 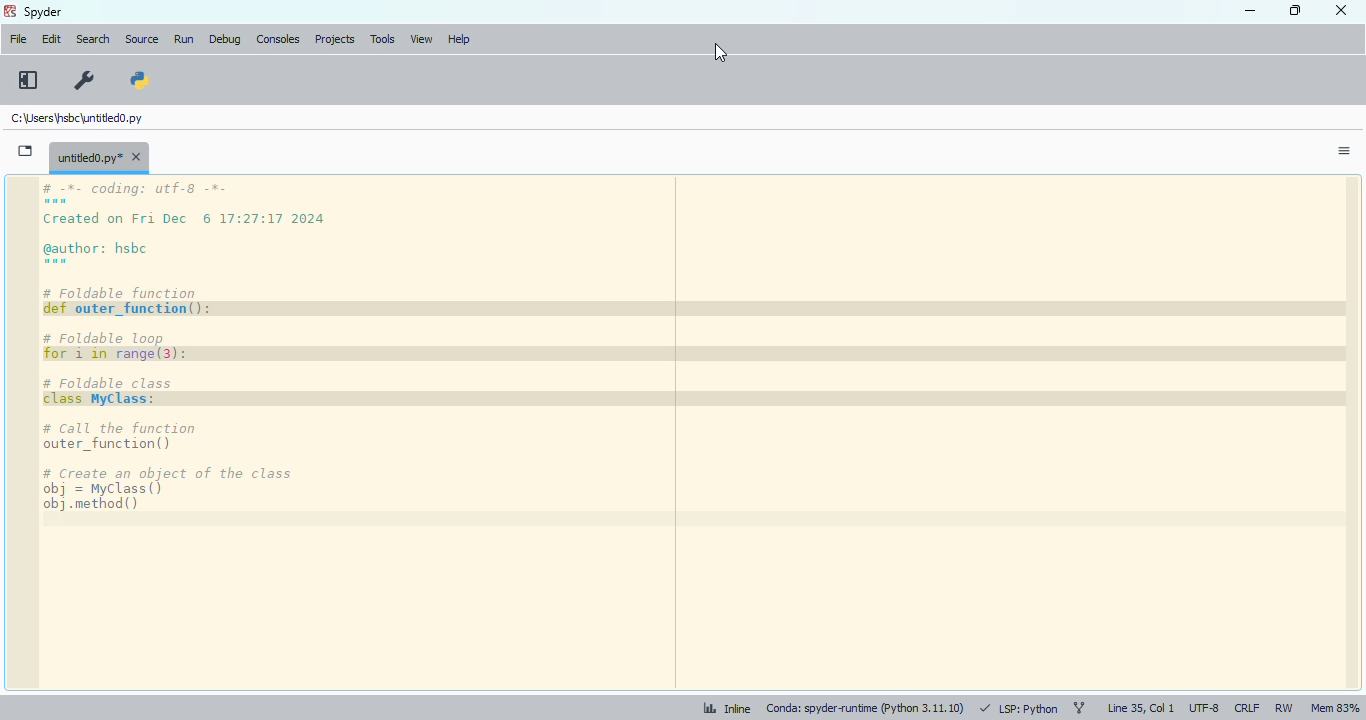 I want to click on edit, so click(x=52, y=39).